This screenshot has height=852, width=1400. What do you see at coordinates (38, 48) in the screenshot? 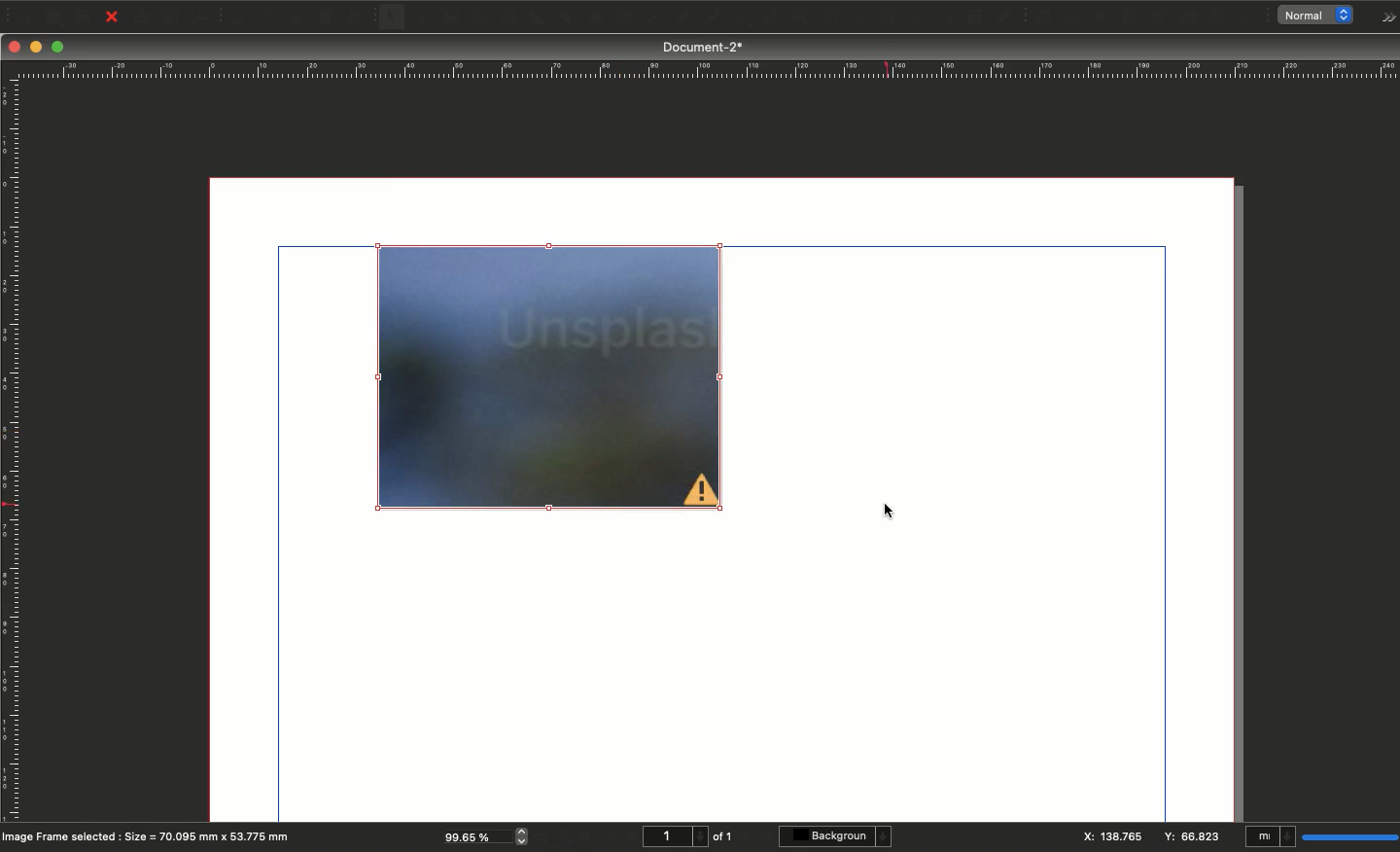
I see `Minimize` at bounding box center [38, 48].